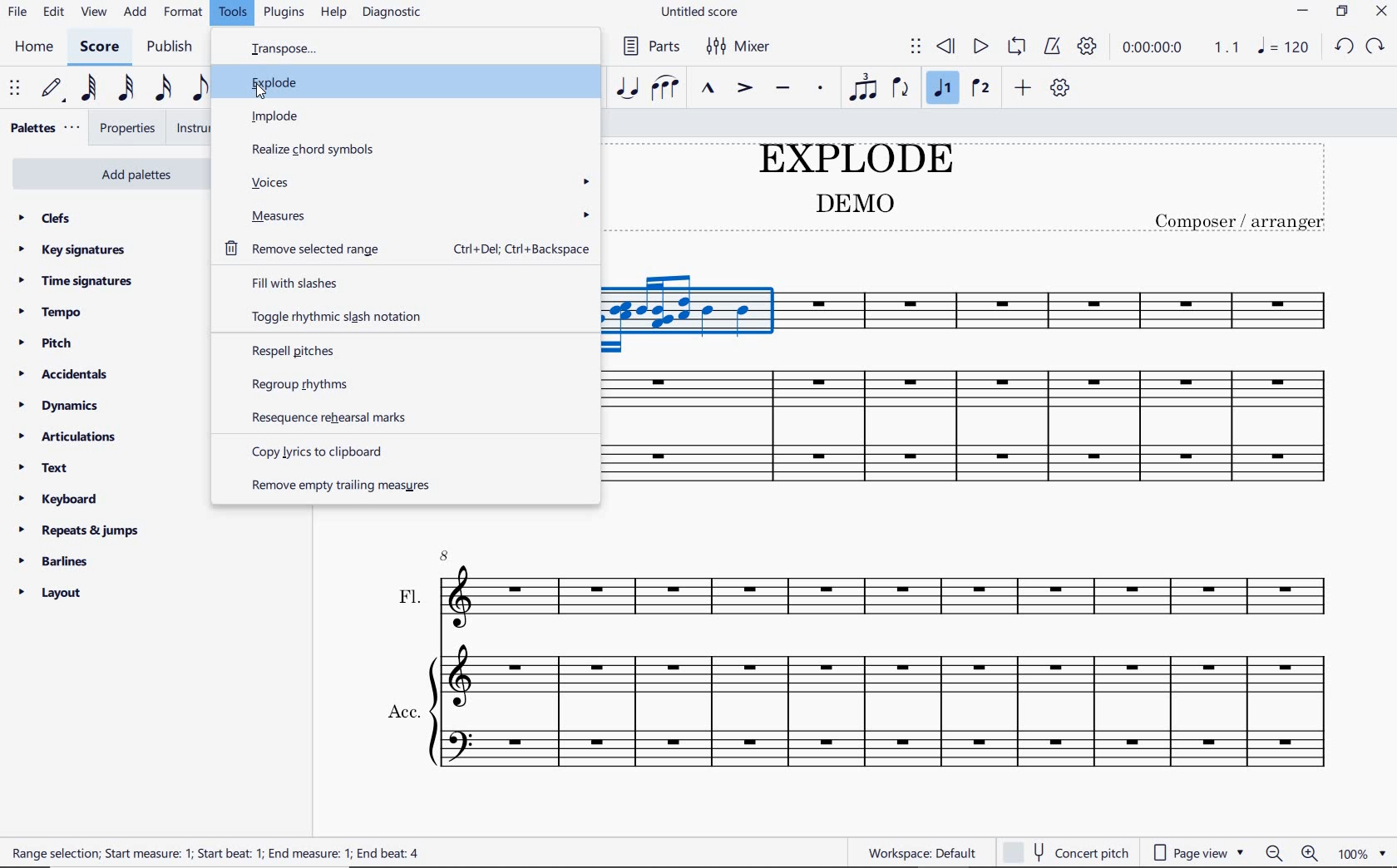  Describe the element at coordinates (649, 45) in the screenshot. I see `parts` at that location.